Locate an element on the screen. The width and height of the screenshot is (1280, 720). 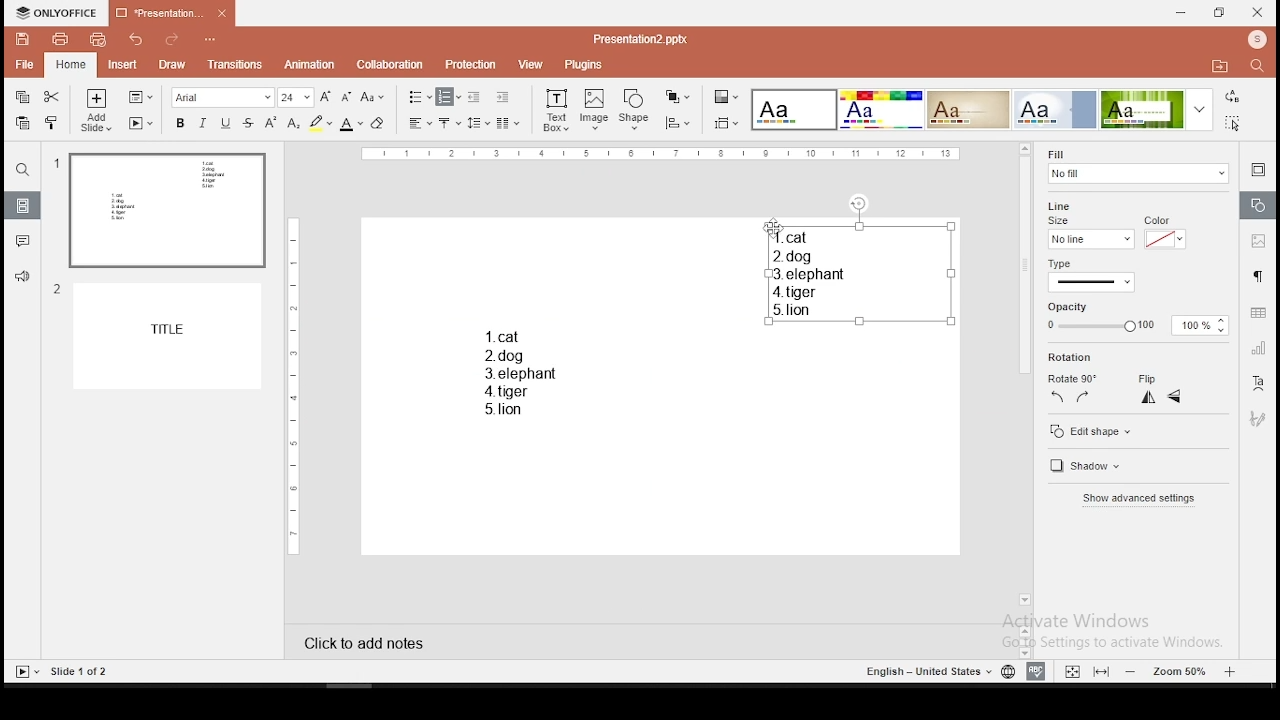
Slides is located at coordinates (62, 671).